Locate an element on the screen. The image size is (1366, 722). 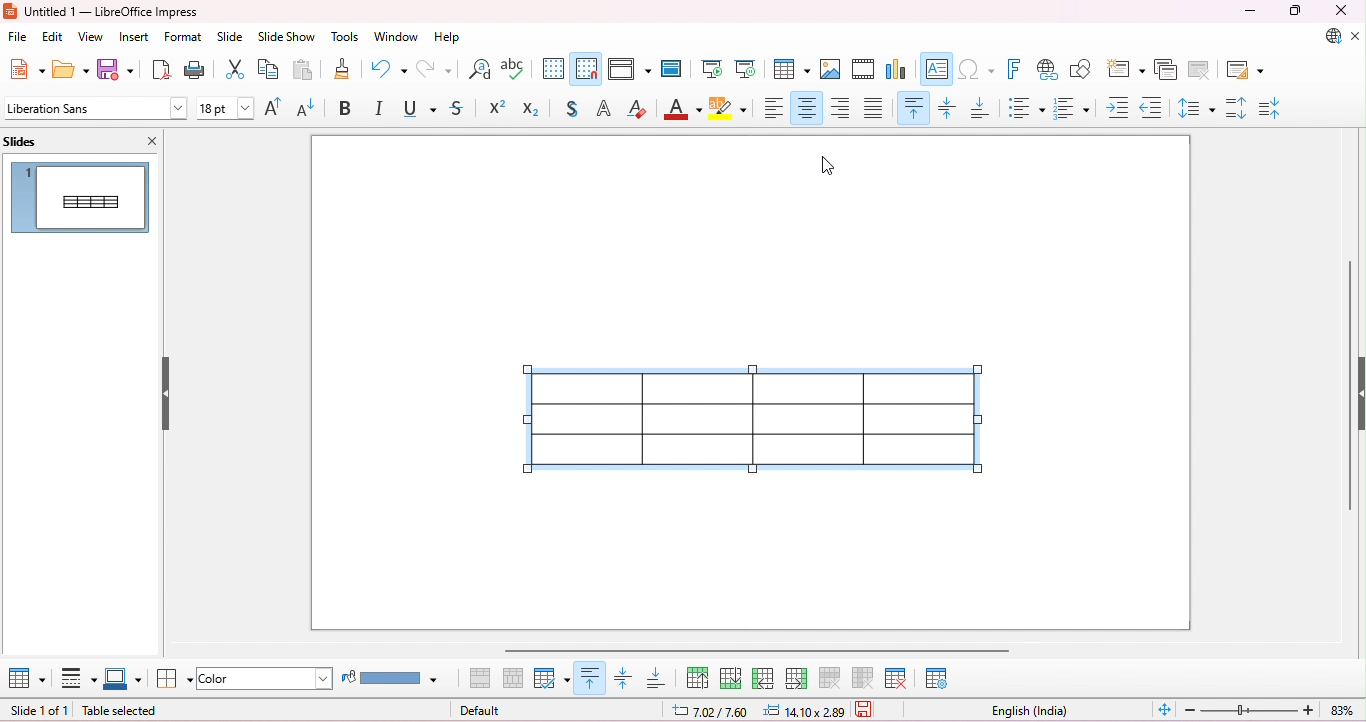
increase paragraph spacing is located at coordinates (1237, 108).